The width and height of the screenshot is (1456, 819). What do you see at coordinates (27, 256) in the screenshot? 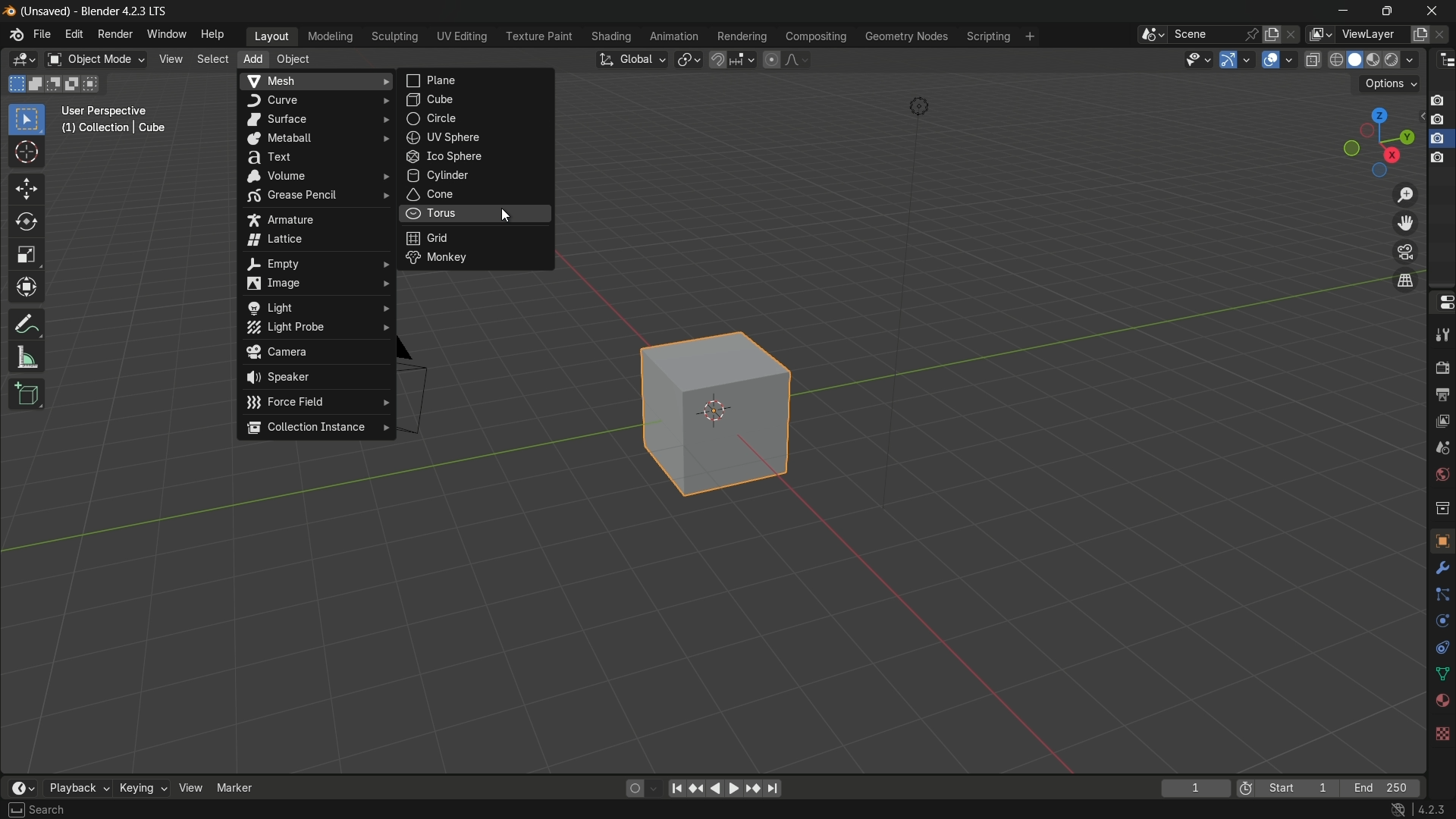
I see `scale` at bounding box center [27, 256].